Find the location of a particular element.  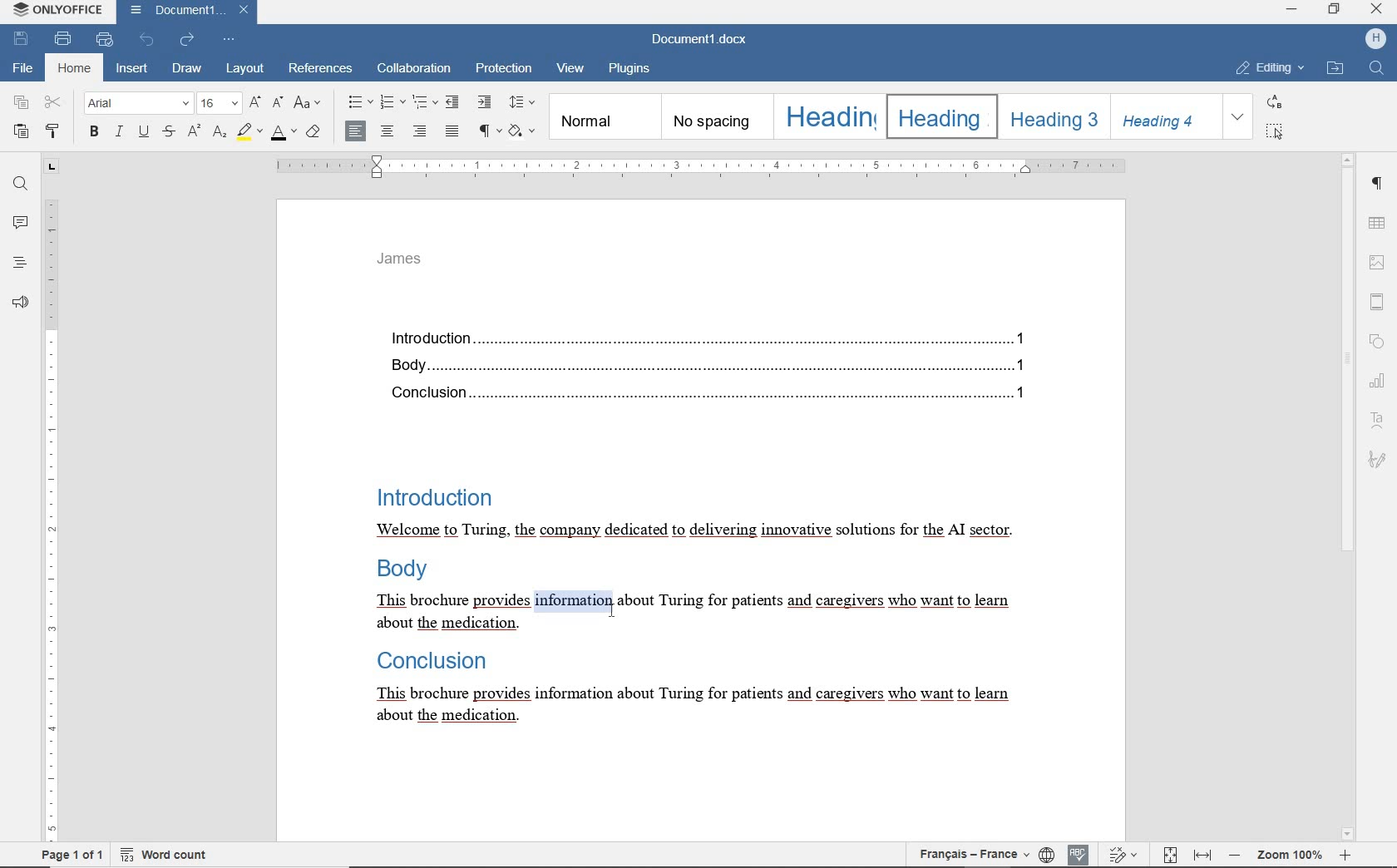

HEADINGS is located at coordinates (18, 262).